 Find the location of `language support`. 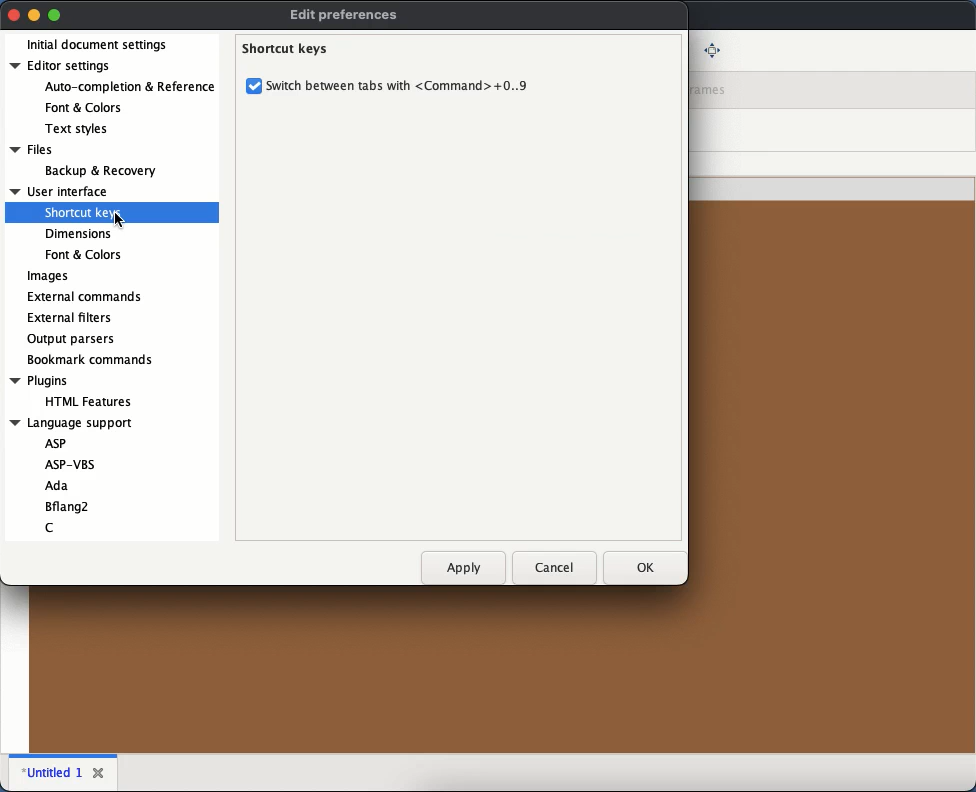

language support is located at coordinates (77, 424).